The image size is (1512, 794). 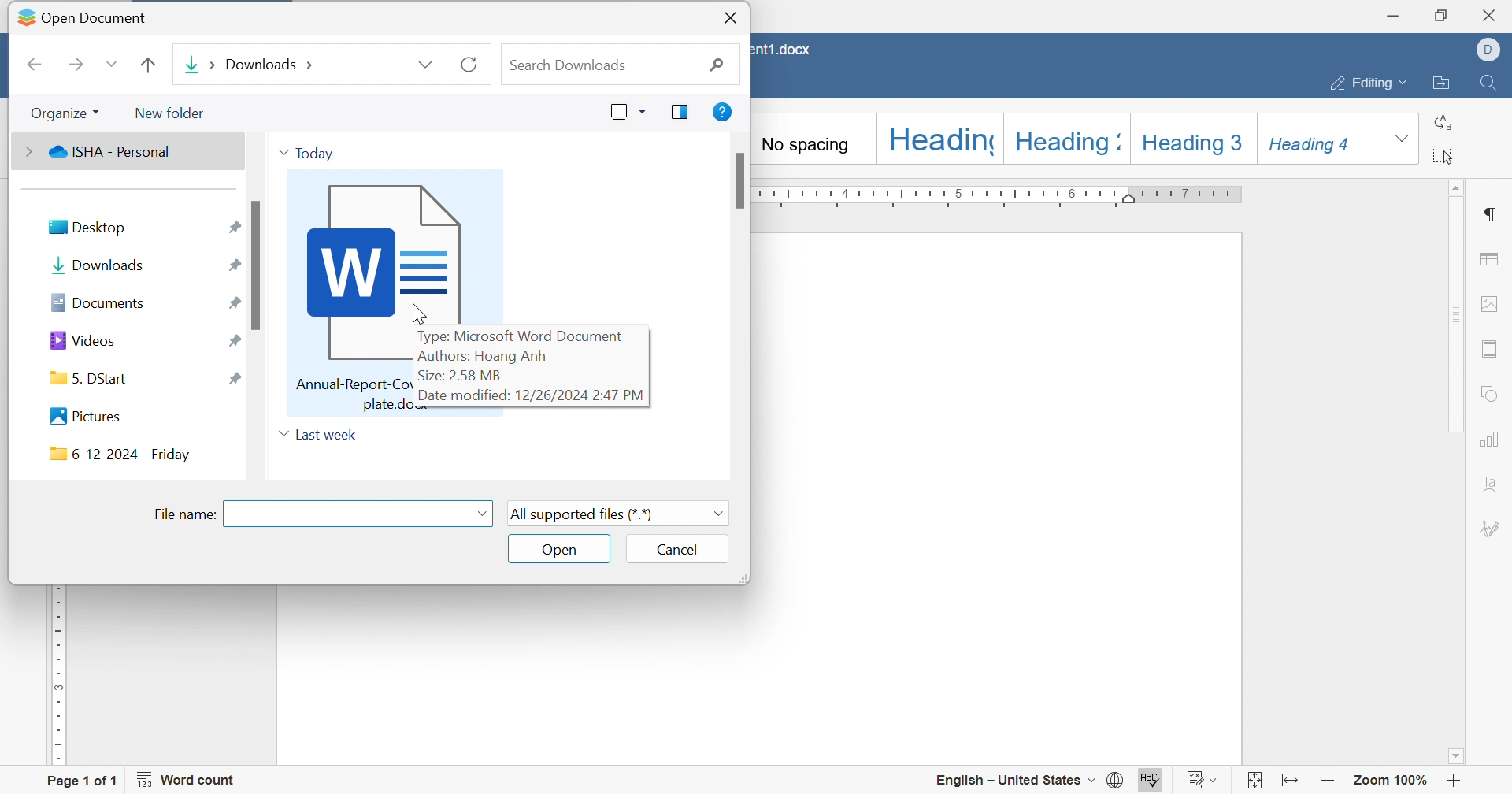 I want to click on pinned folders, so click(x=232, y=301).